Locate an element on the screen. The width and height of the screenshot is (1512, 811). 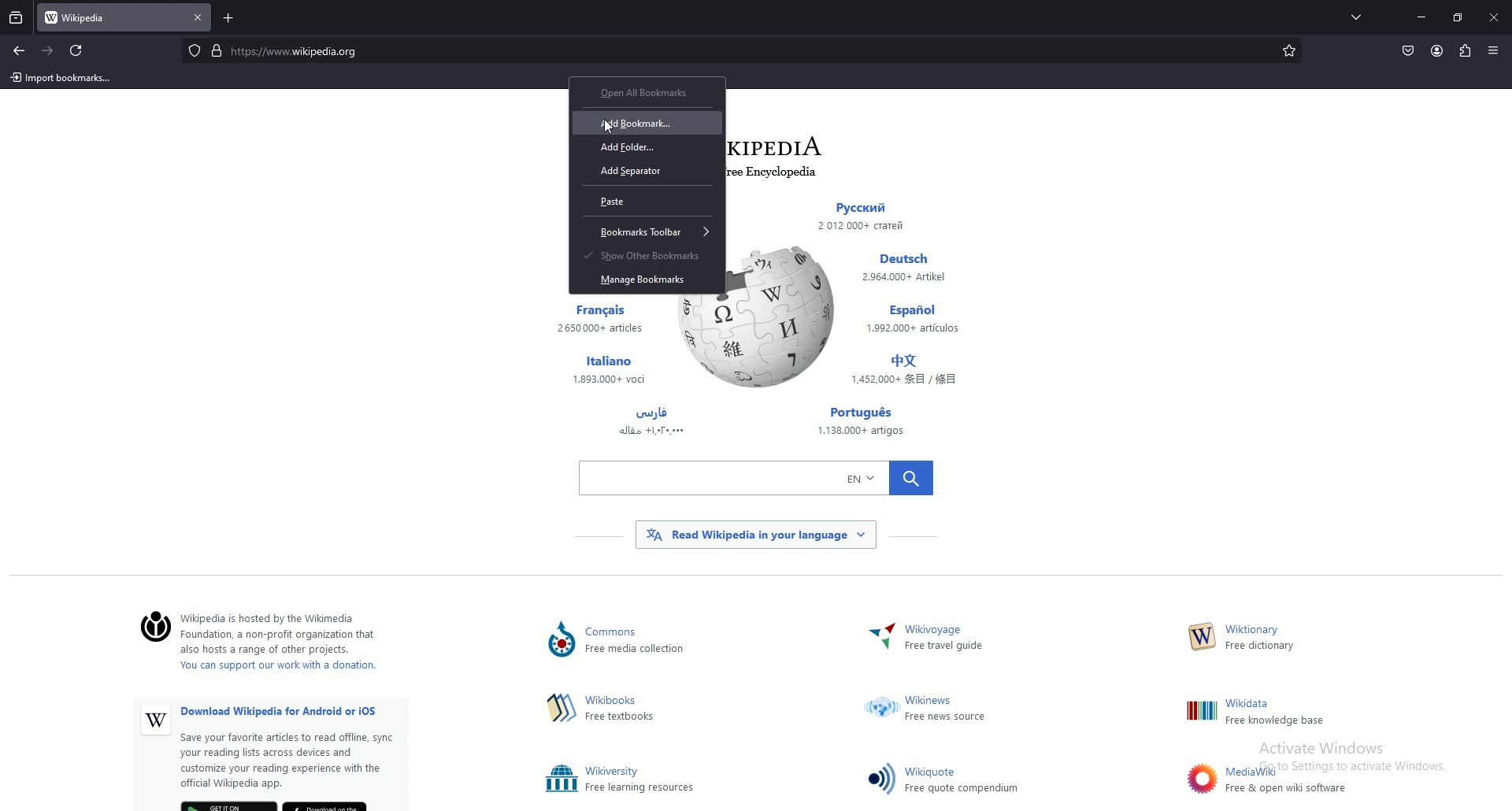
 is located at coordinates (1493, 52).